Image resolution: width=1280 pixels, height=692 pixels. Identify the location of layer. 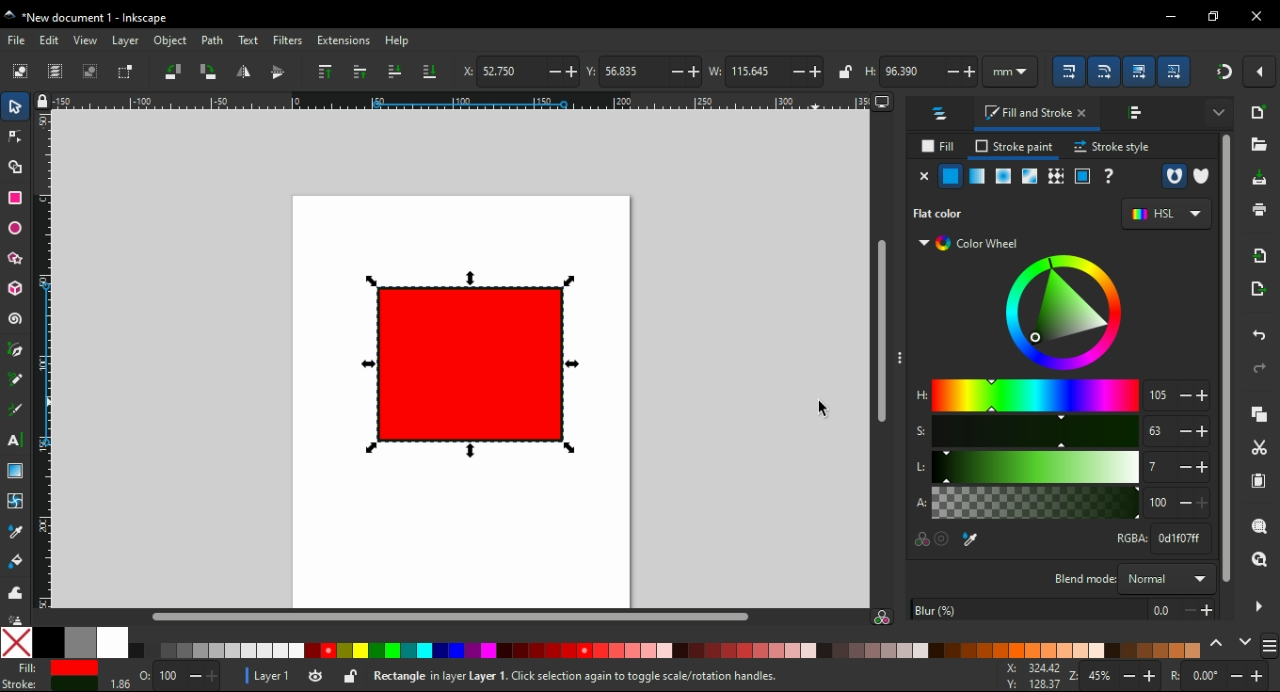
(126, 40).